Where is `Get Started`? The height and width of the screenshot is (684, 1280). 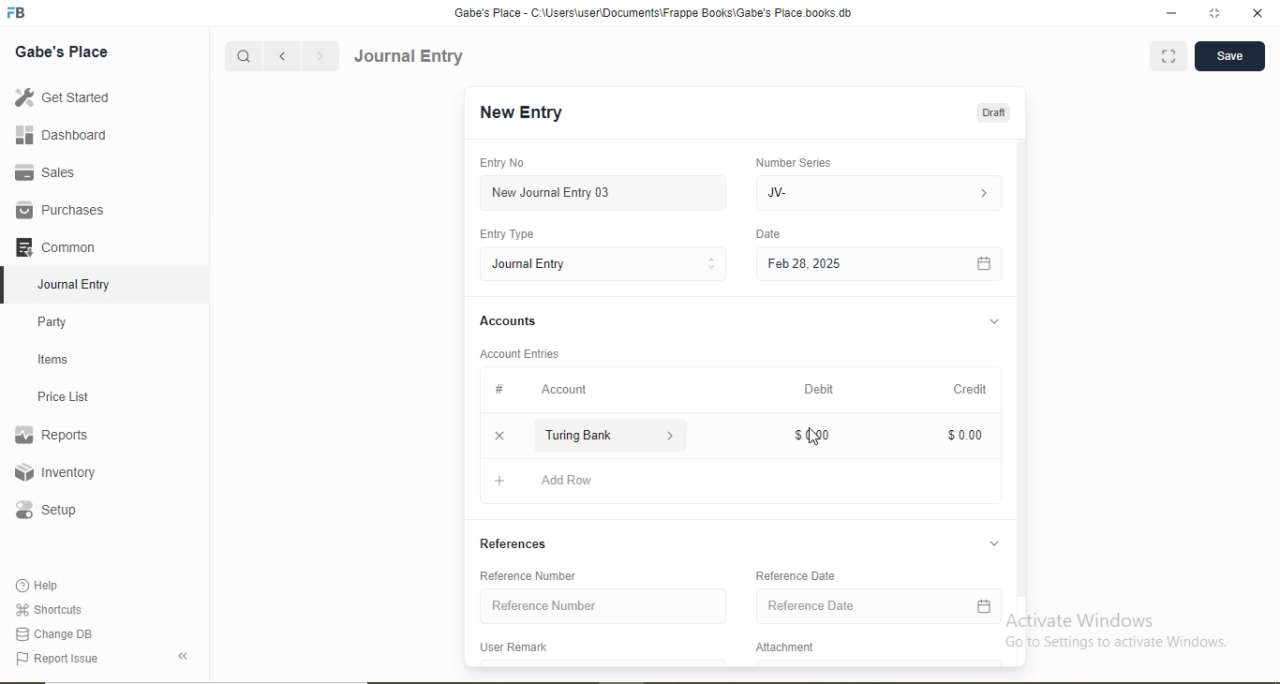
Get Started is located at coordinates (61, 96).